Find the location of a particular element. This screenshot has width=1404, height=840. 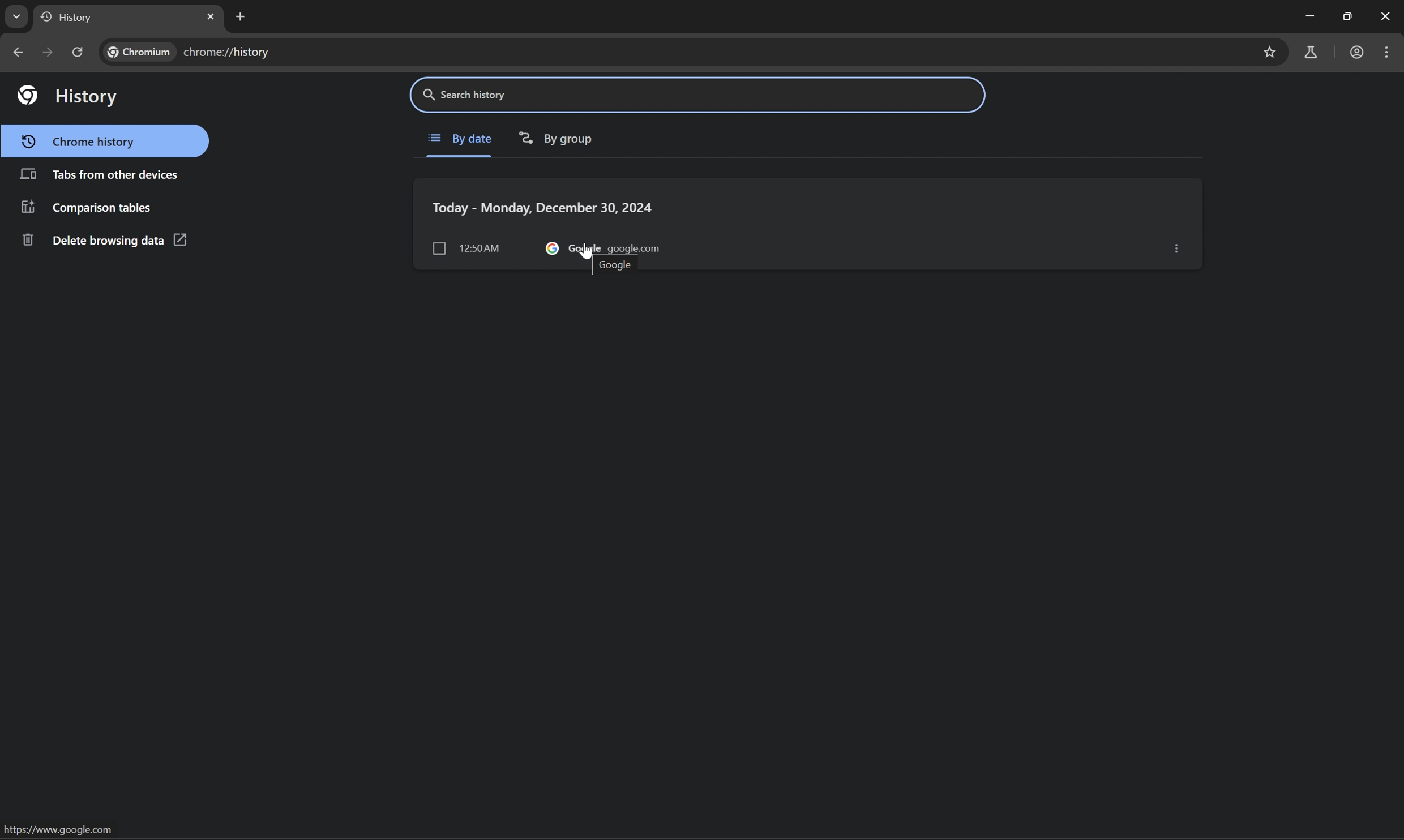

close is located at coordinates (1386, 15).